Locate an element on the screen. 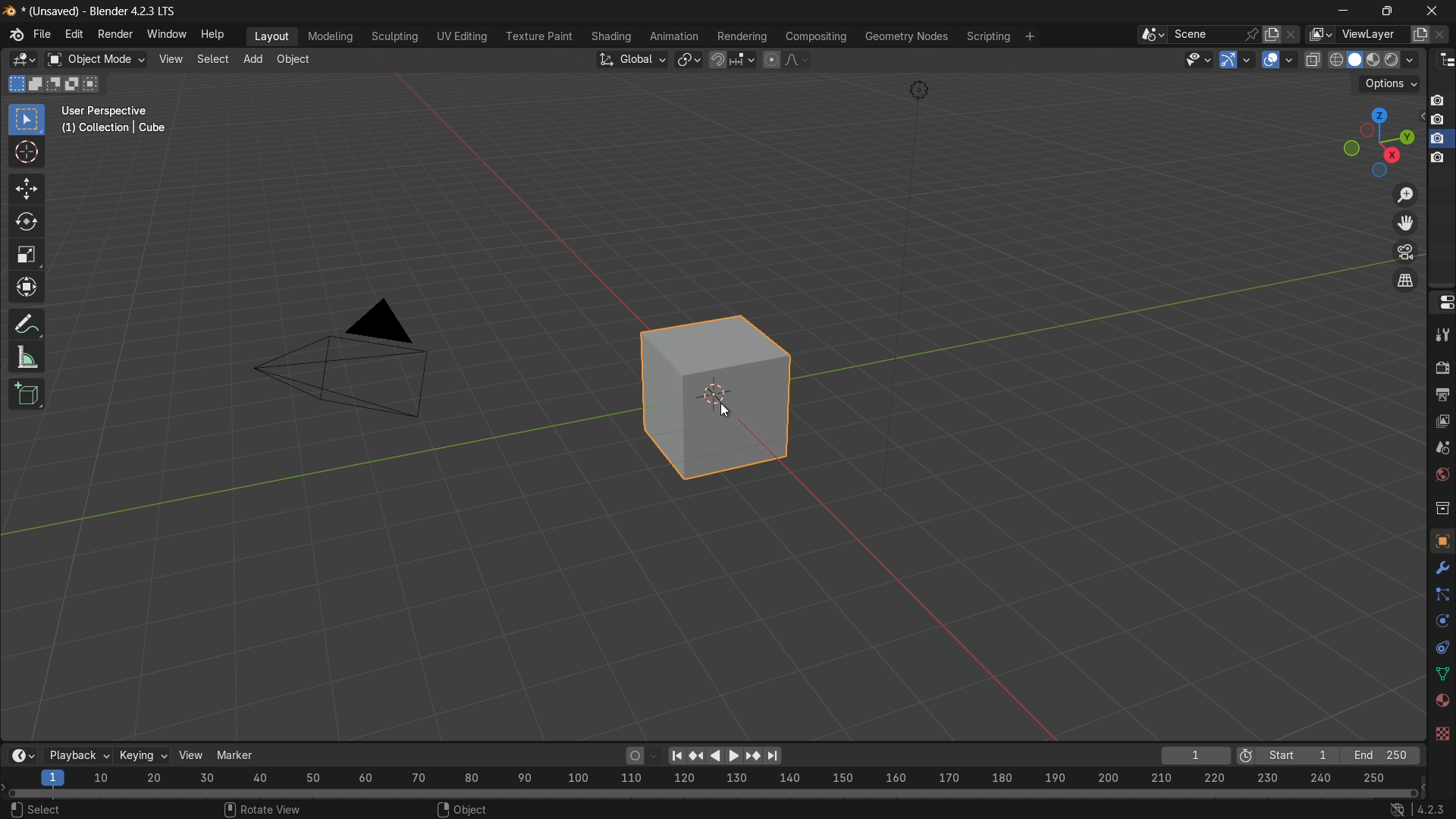  toggle camera view is located at coordinates (1406, 253).